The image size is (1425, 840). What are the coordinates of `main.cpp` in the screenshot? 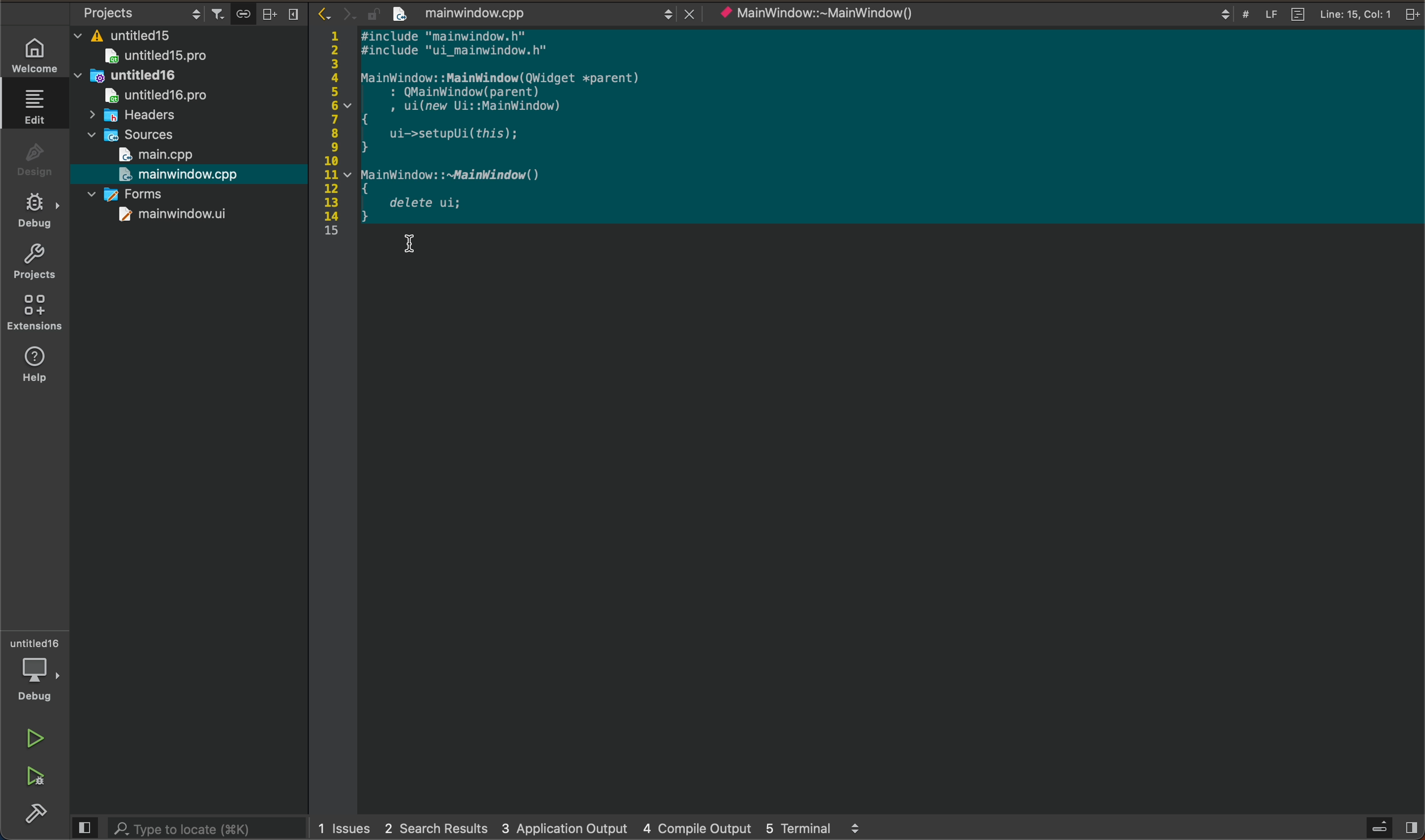 It's located at (172, 155).